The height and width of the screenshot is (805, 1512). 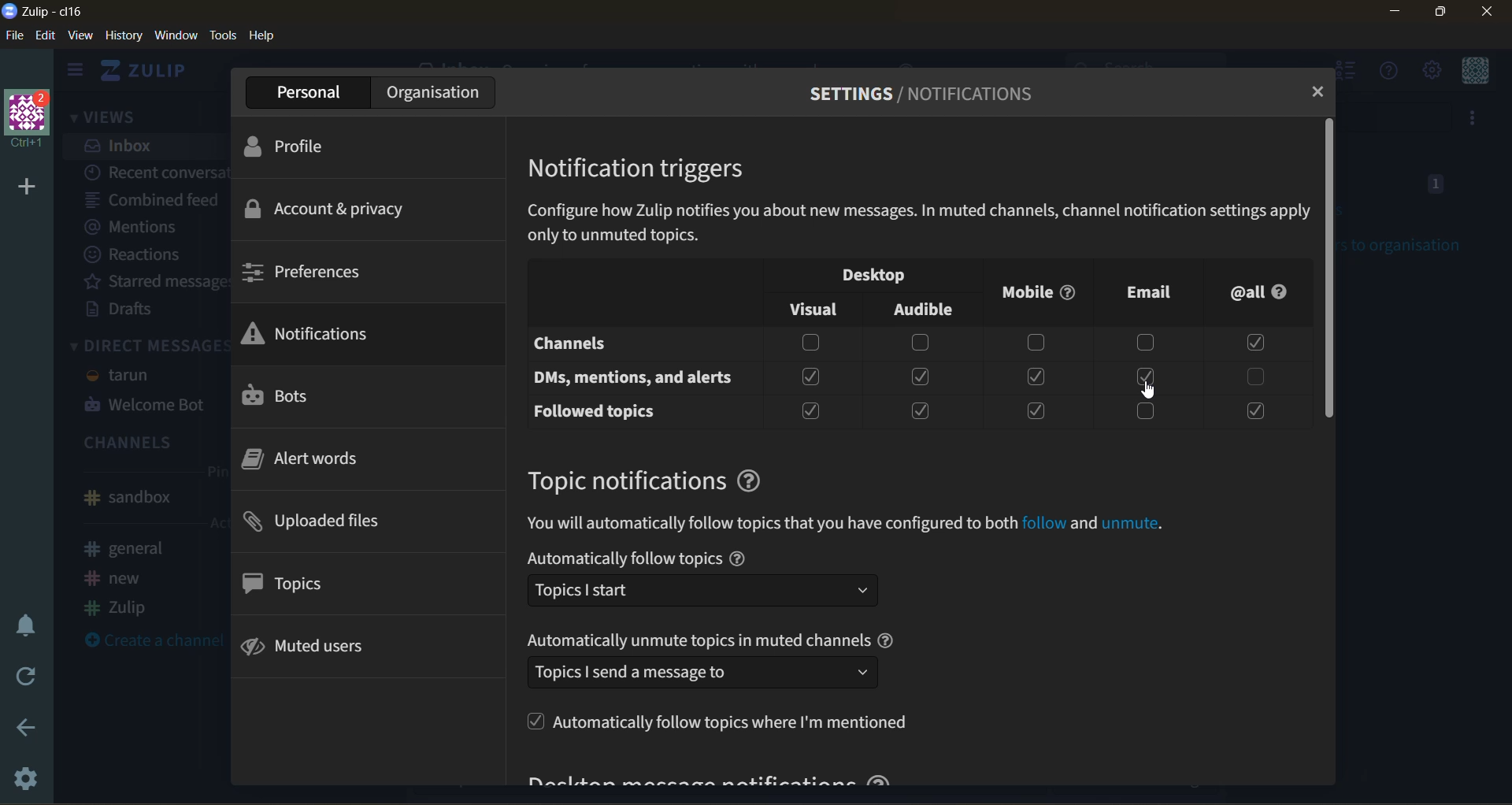 I want to click on checkbox, so click(x=1149, y=341).